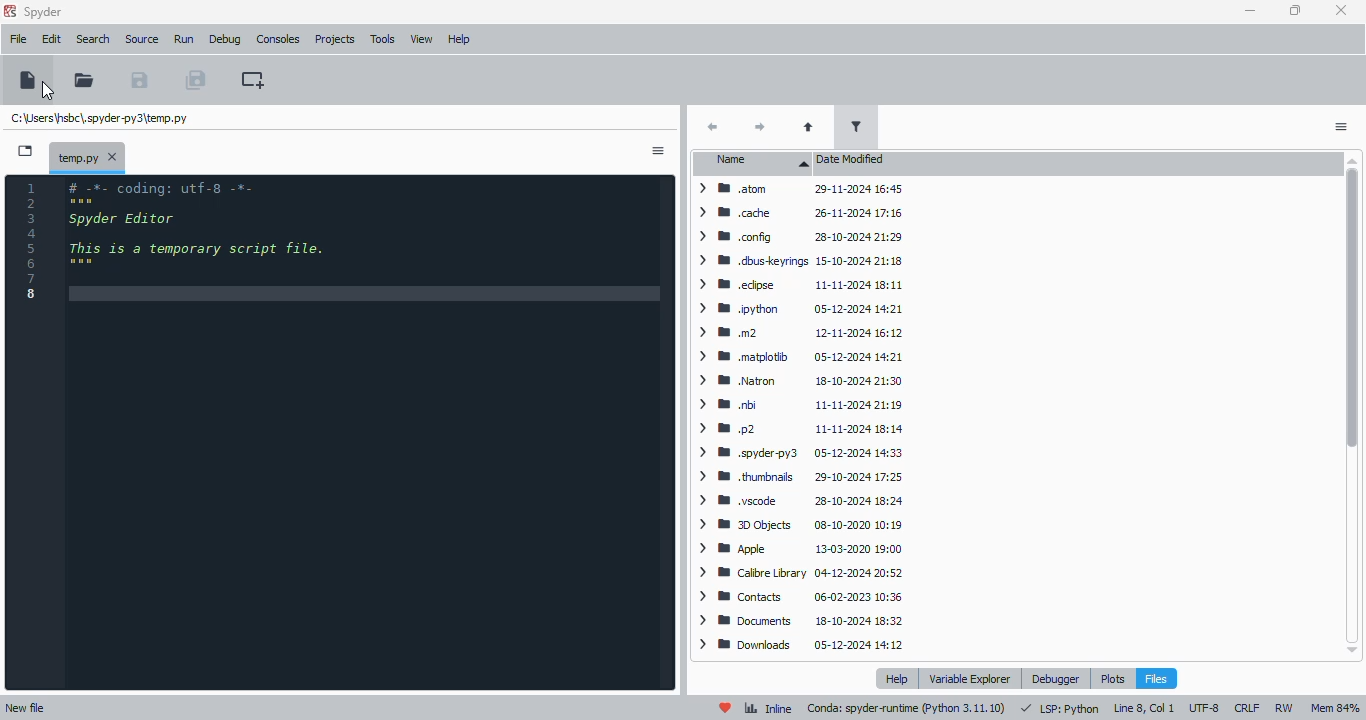 The width and height of the screenshot is (1366, 720). What do you see at coordinates (48, 90) in the screenshot?
I see `cursor` at bounding box center [48, 90].